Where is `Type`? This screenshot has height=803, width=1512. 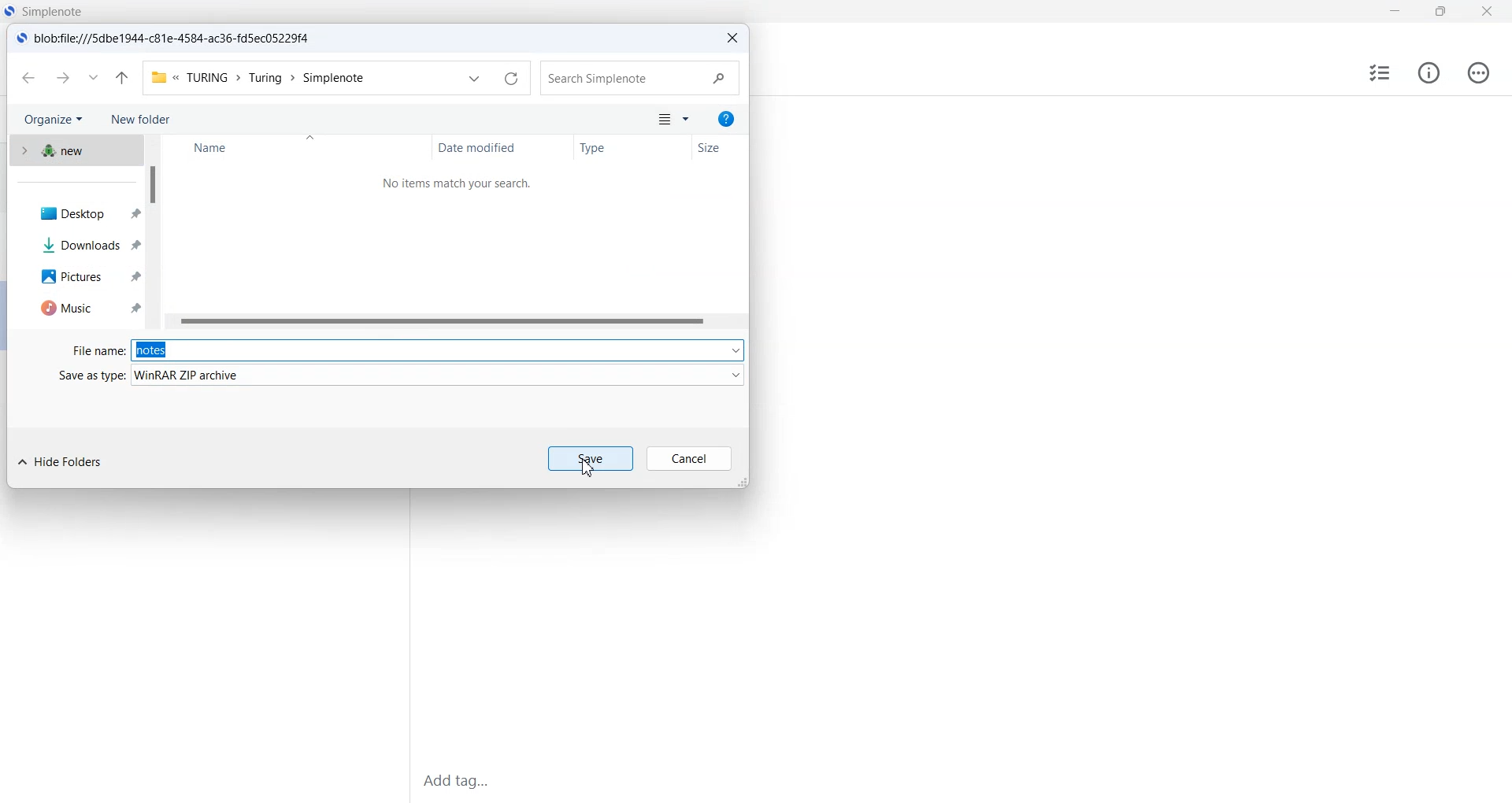 Type is located at coordinates (632, 148).